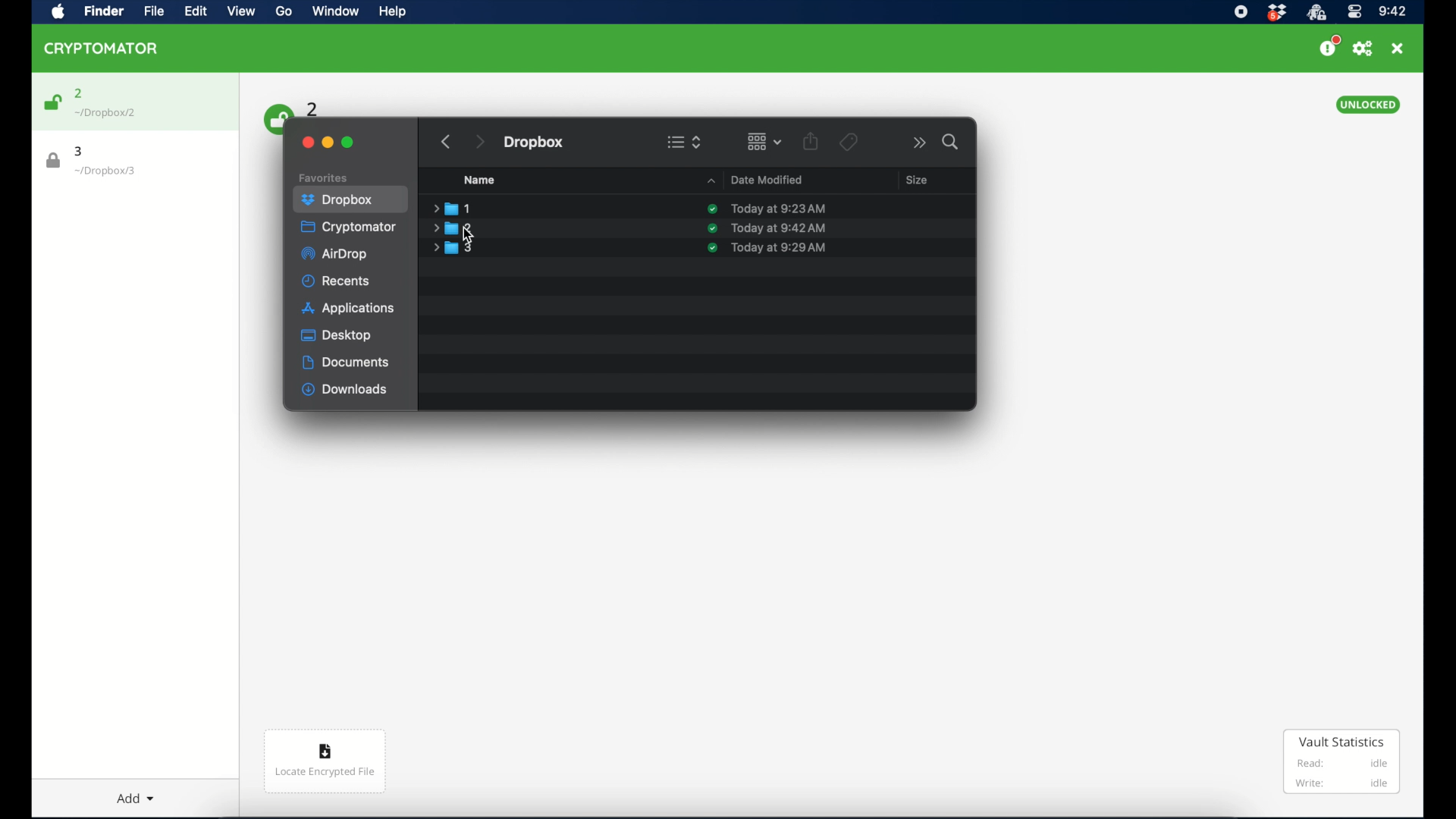 The width and height of the screenshot is (1456, 819). I want to click on dropbox, so click(337, 200).